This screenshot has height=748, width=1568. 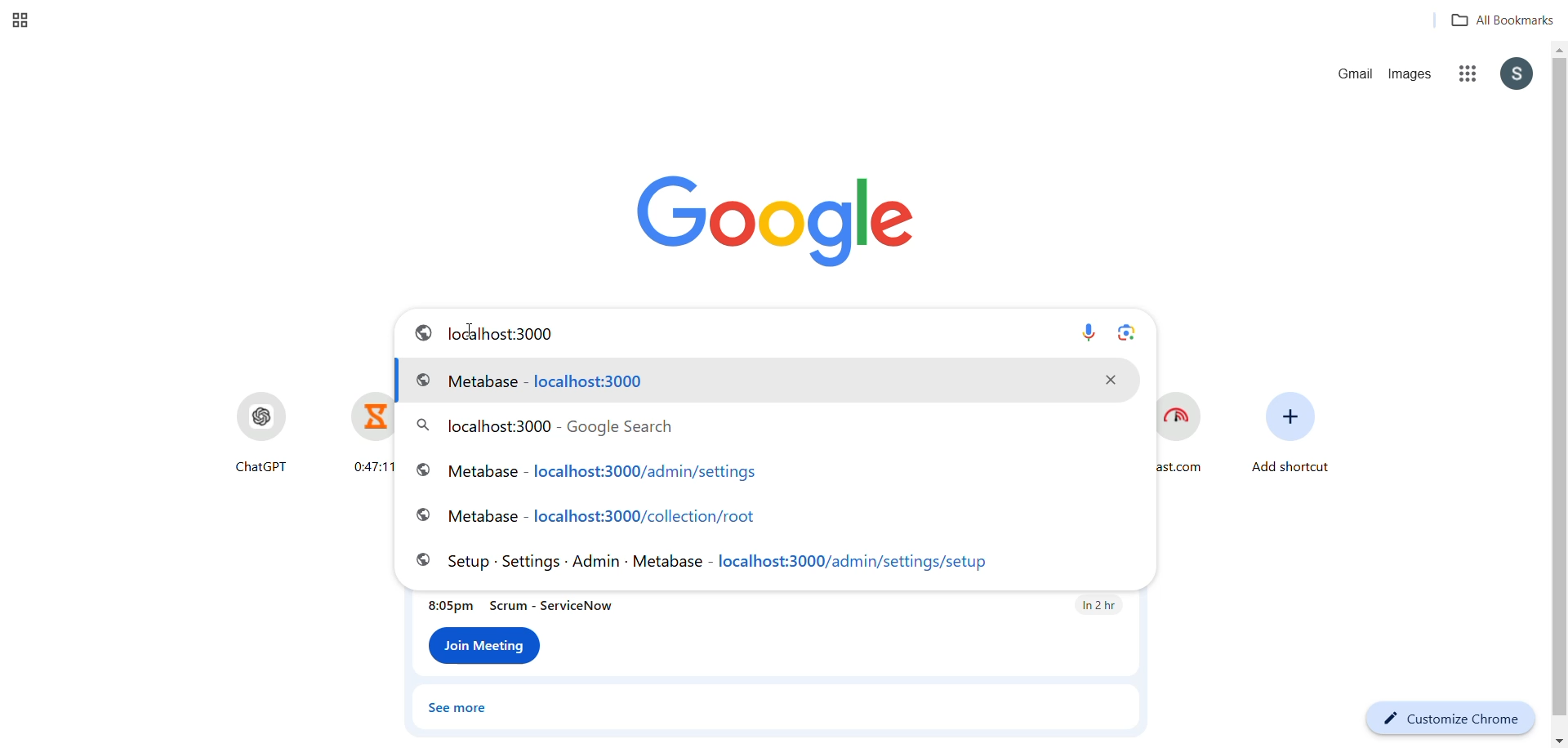 I want to click on cursor, so click(x=474, y=329).